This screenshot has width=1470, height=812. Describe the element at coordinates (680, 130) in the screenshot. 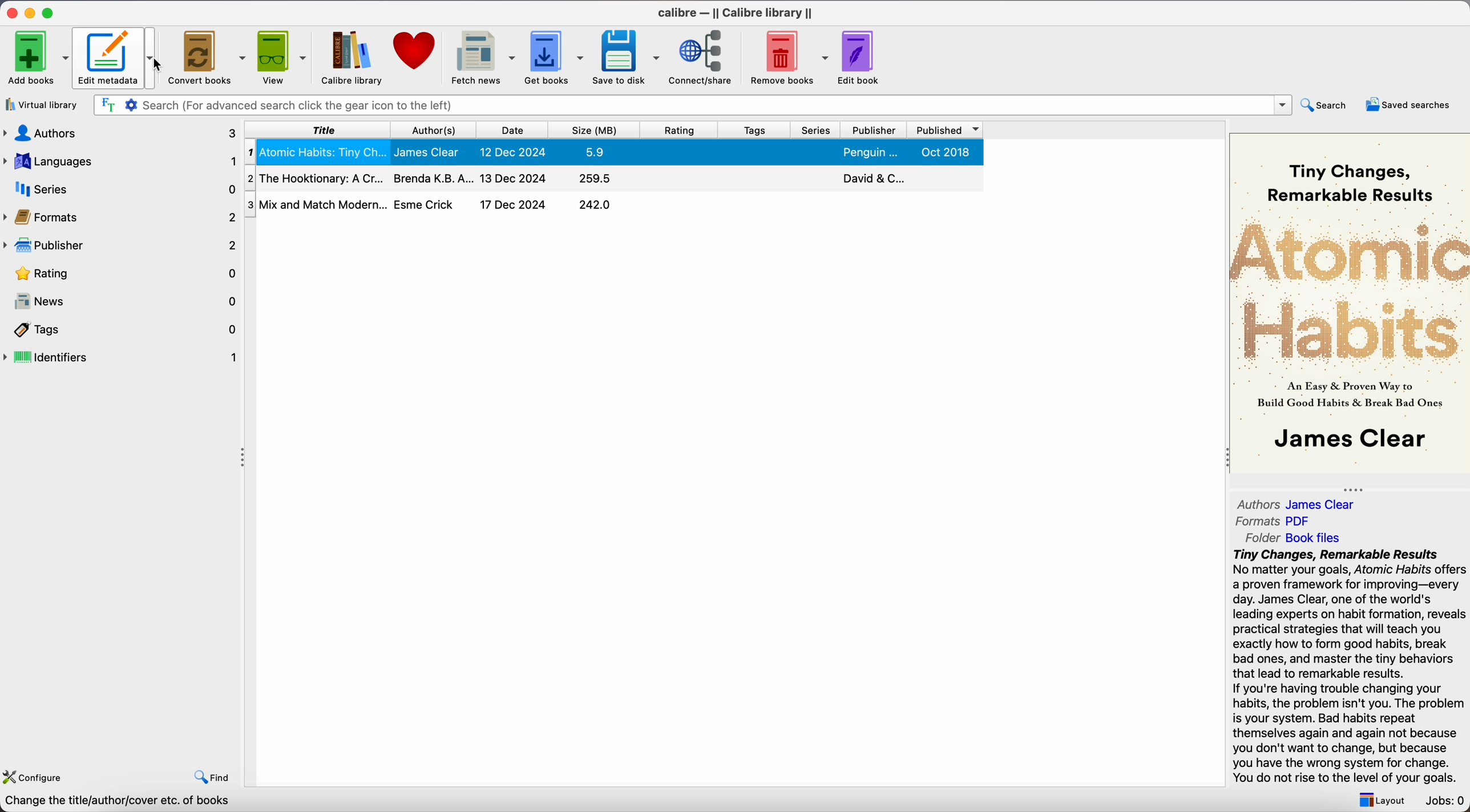

I see `rating` at that location.